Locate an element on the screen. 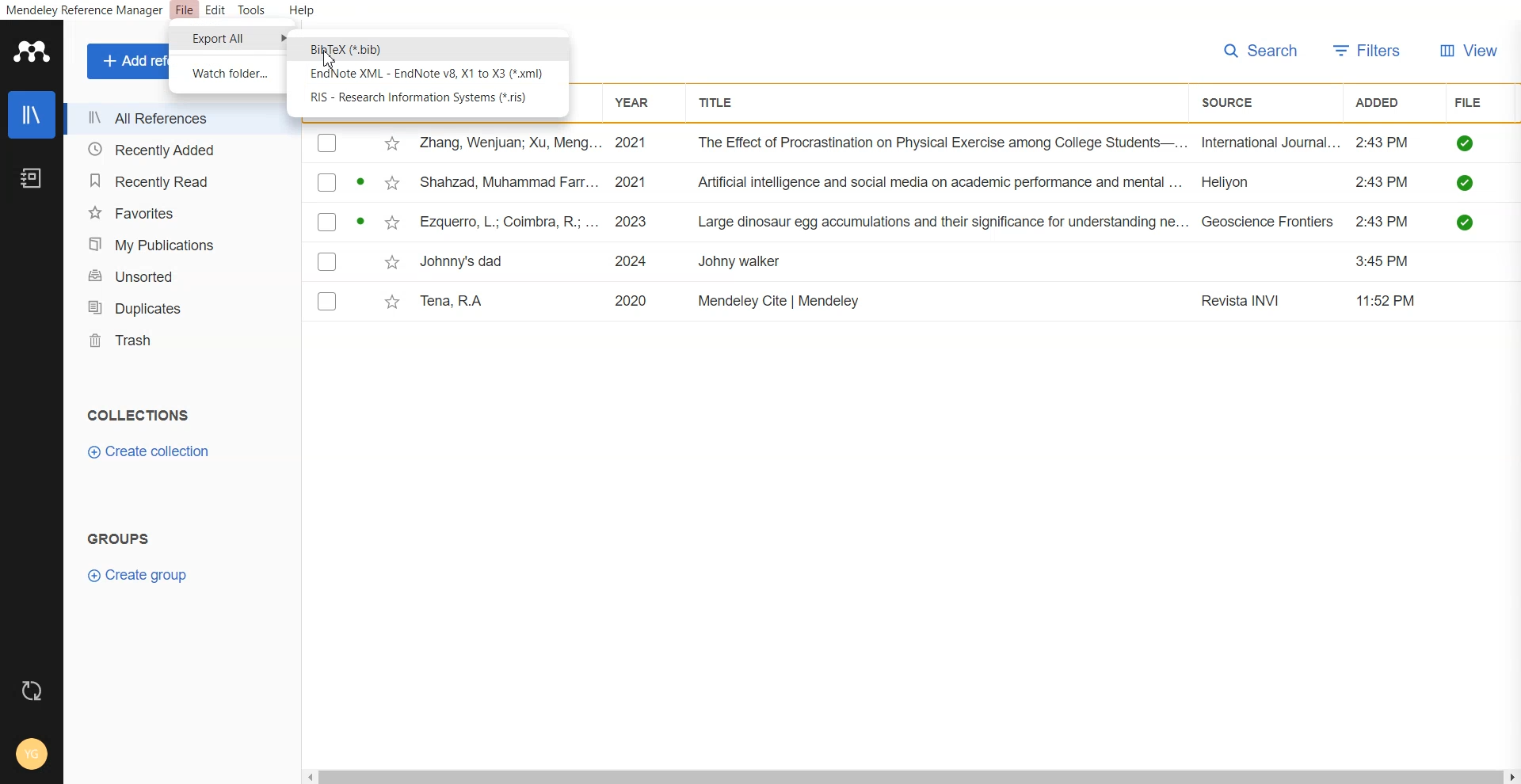 The width and height of the screenshot is (1521, 784). star is located at coordinates (391, 144).